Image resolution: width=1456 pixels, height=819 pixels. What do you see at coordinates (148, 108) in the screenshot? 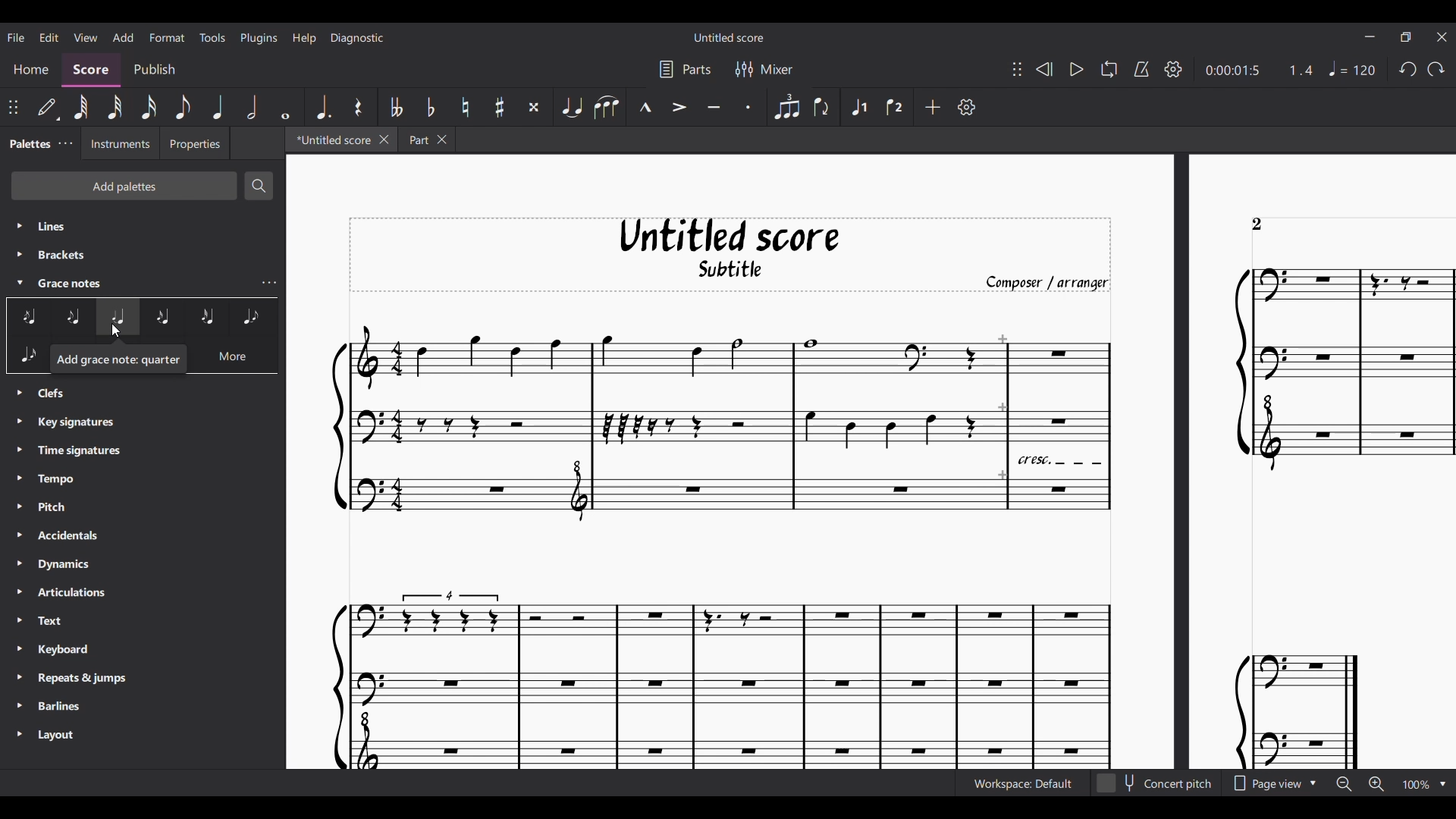
I see `16th note` at bounding box center [148, 108].